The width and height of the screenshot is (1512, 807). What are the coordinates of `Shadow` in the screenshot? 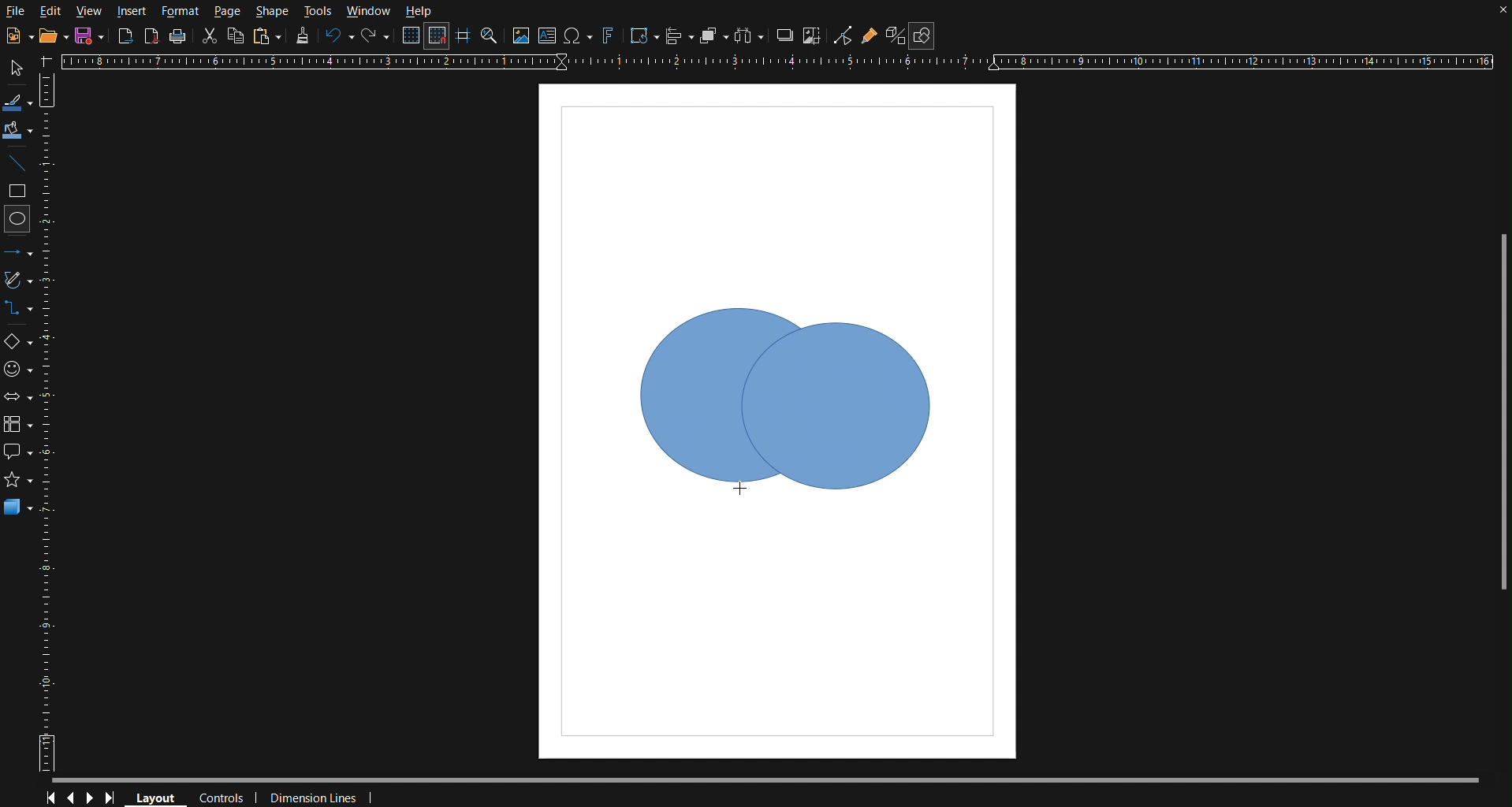 It's located at (785, 36).